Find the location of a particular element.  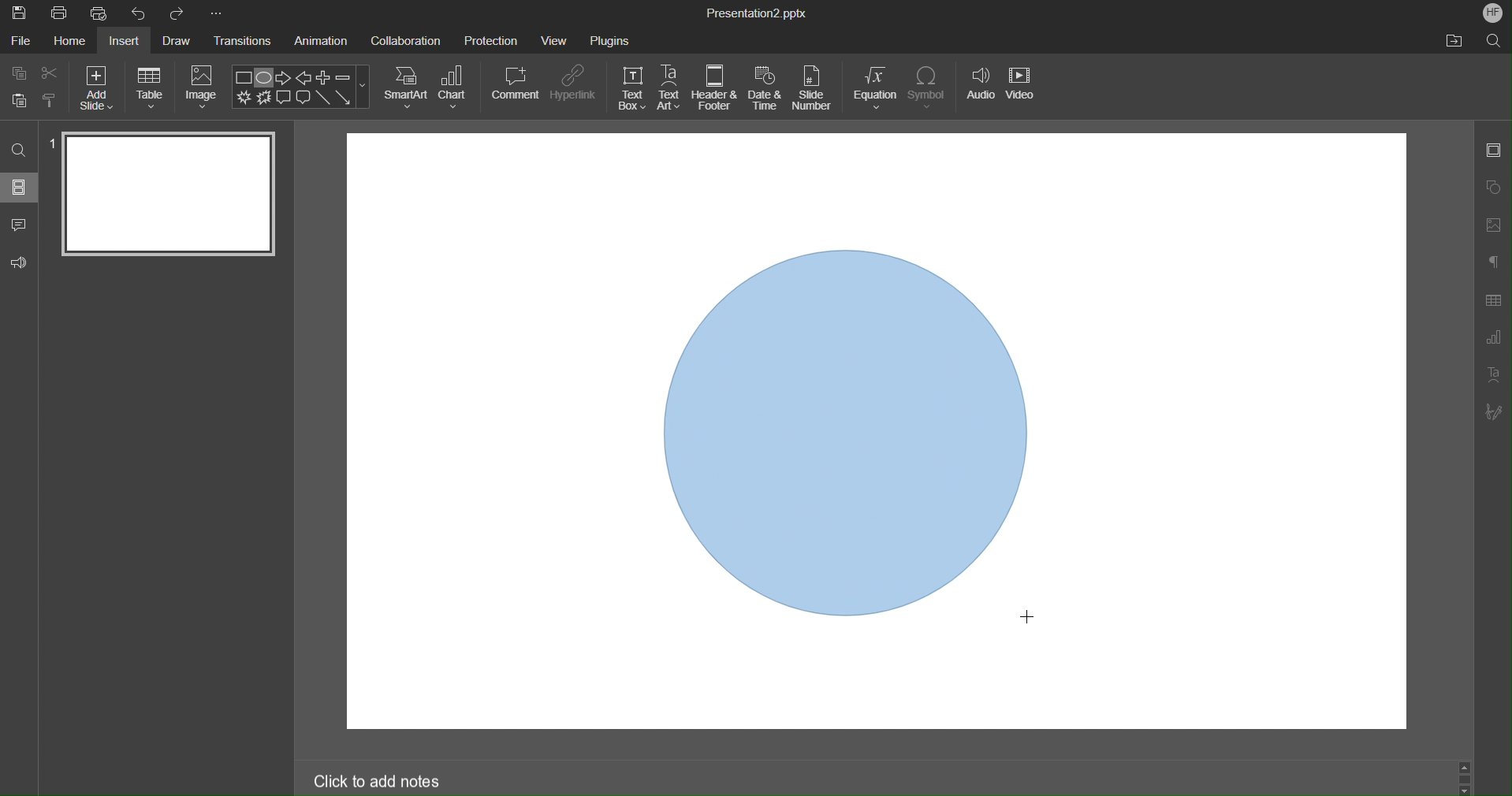

Home is located at coordinates (68, 42).